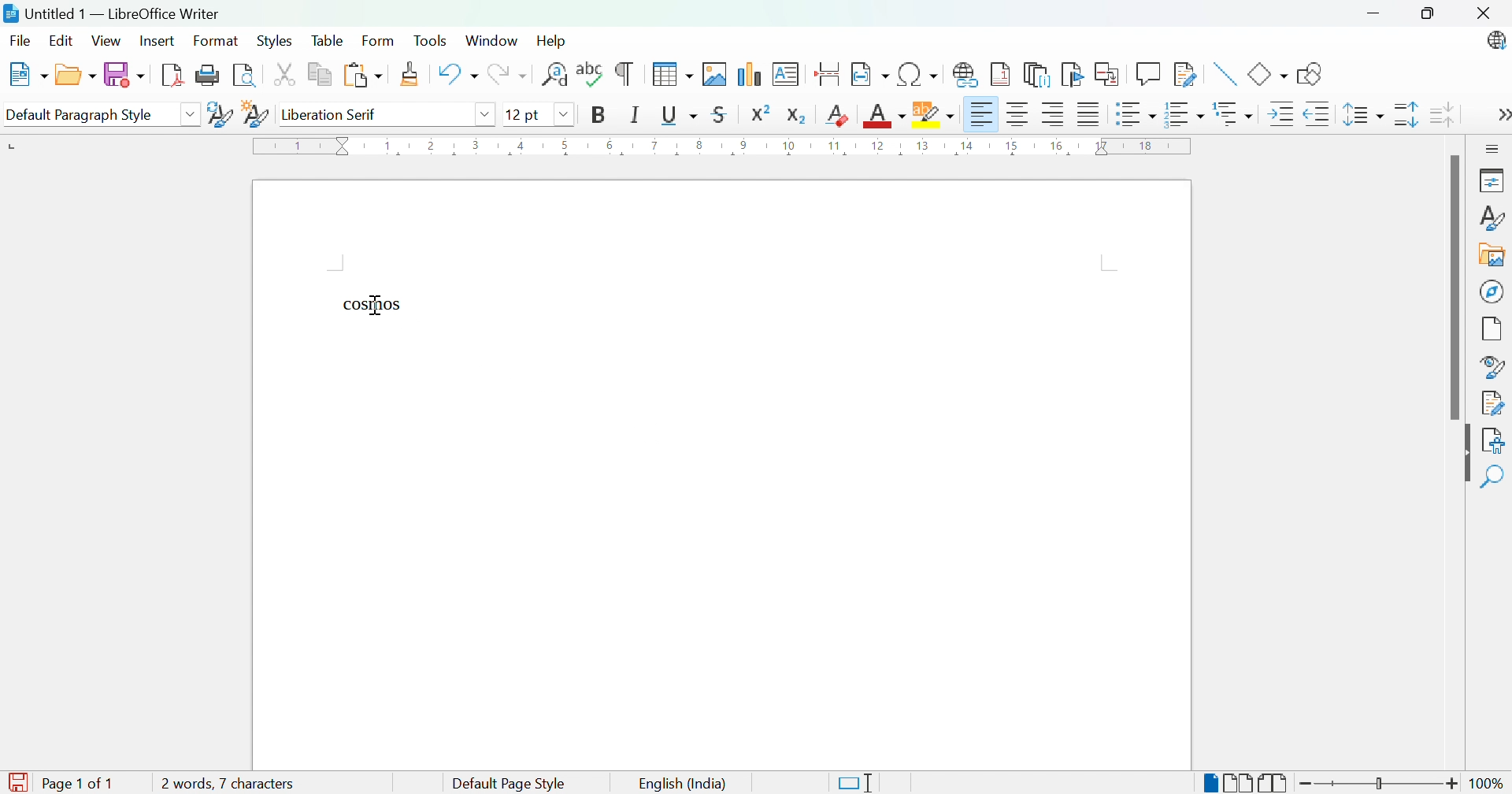 The width and height of the screenshot is (1512, 794). Describe the element at coordinates (110, 13) in the screenshot. I see `Untitled 1 - LibreOffice Writer` at that location.